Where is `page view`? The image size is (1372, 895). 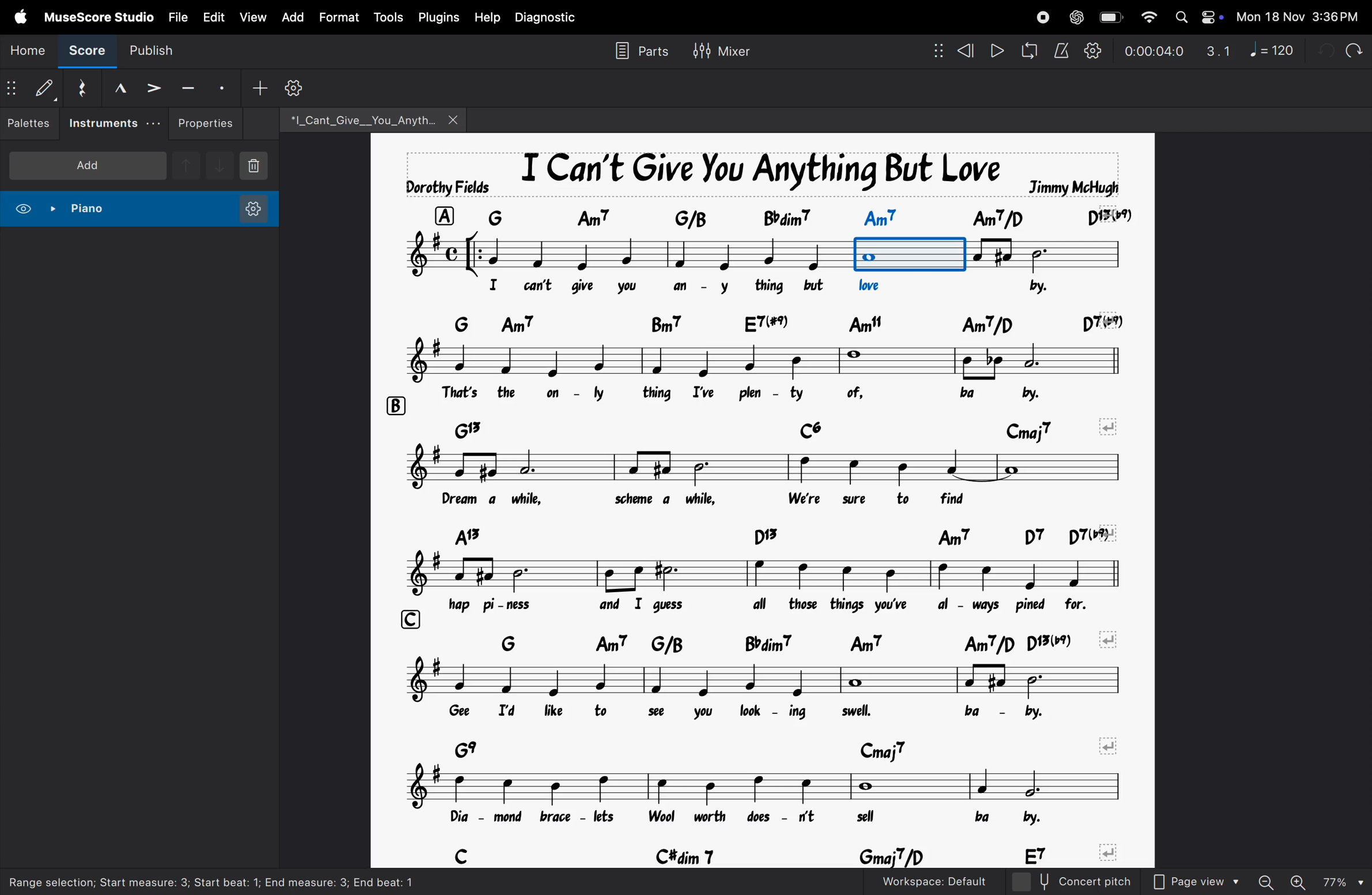
page view is located at coordinates (1195, 881).